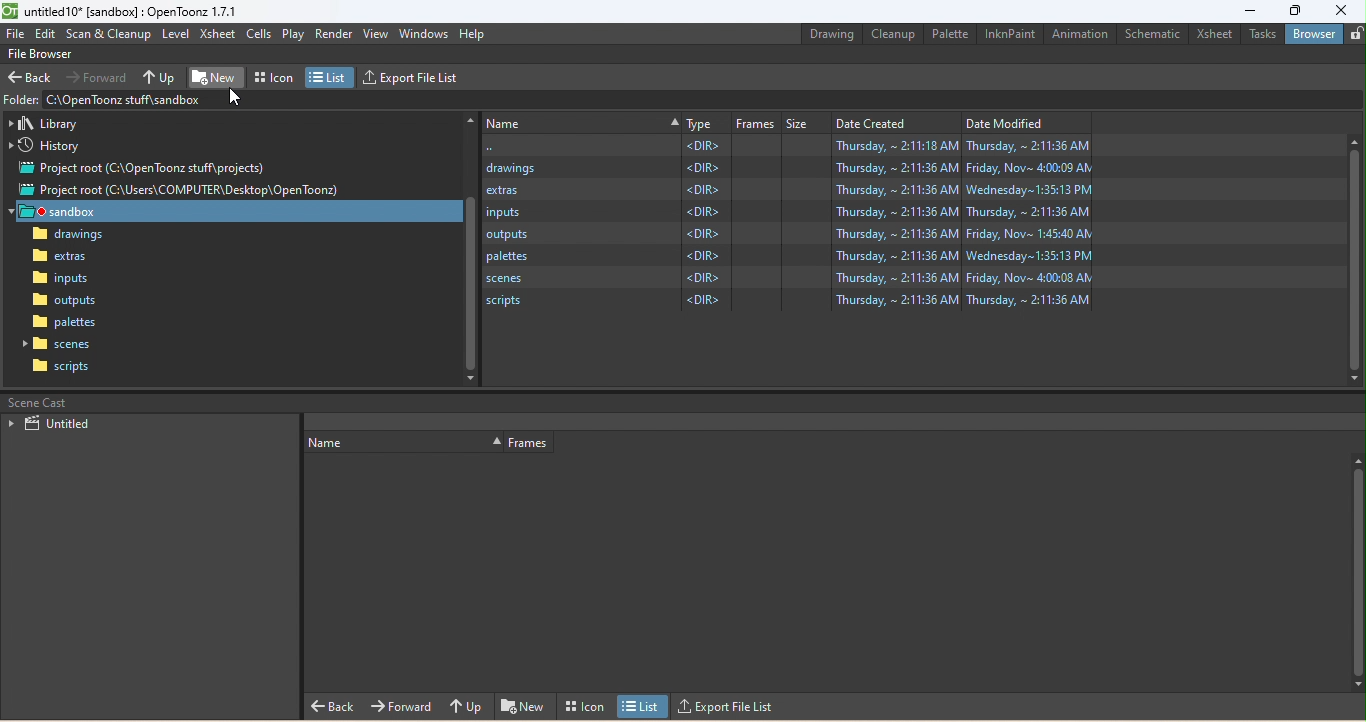 This screenshot has width=1366, height=722. Describe the element at coordinates (789, 190) in the screenshot. I see `extras` at that location.